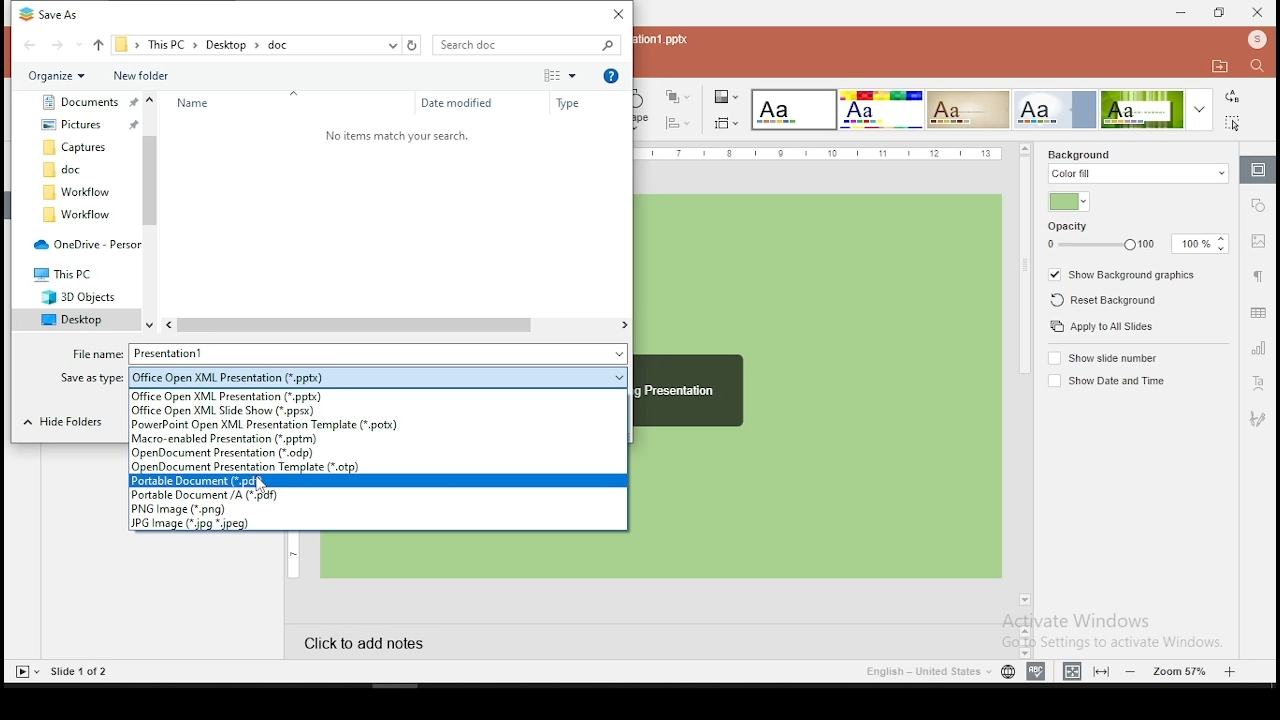 The height and width of the screenshot is (720, 1280). Describe the element at coordinates (381, 376) in the screenshot. I see `Save as type options` at that location.